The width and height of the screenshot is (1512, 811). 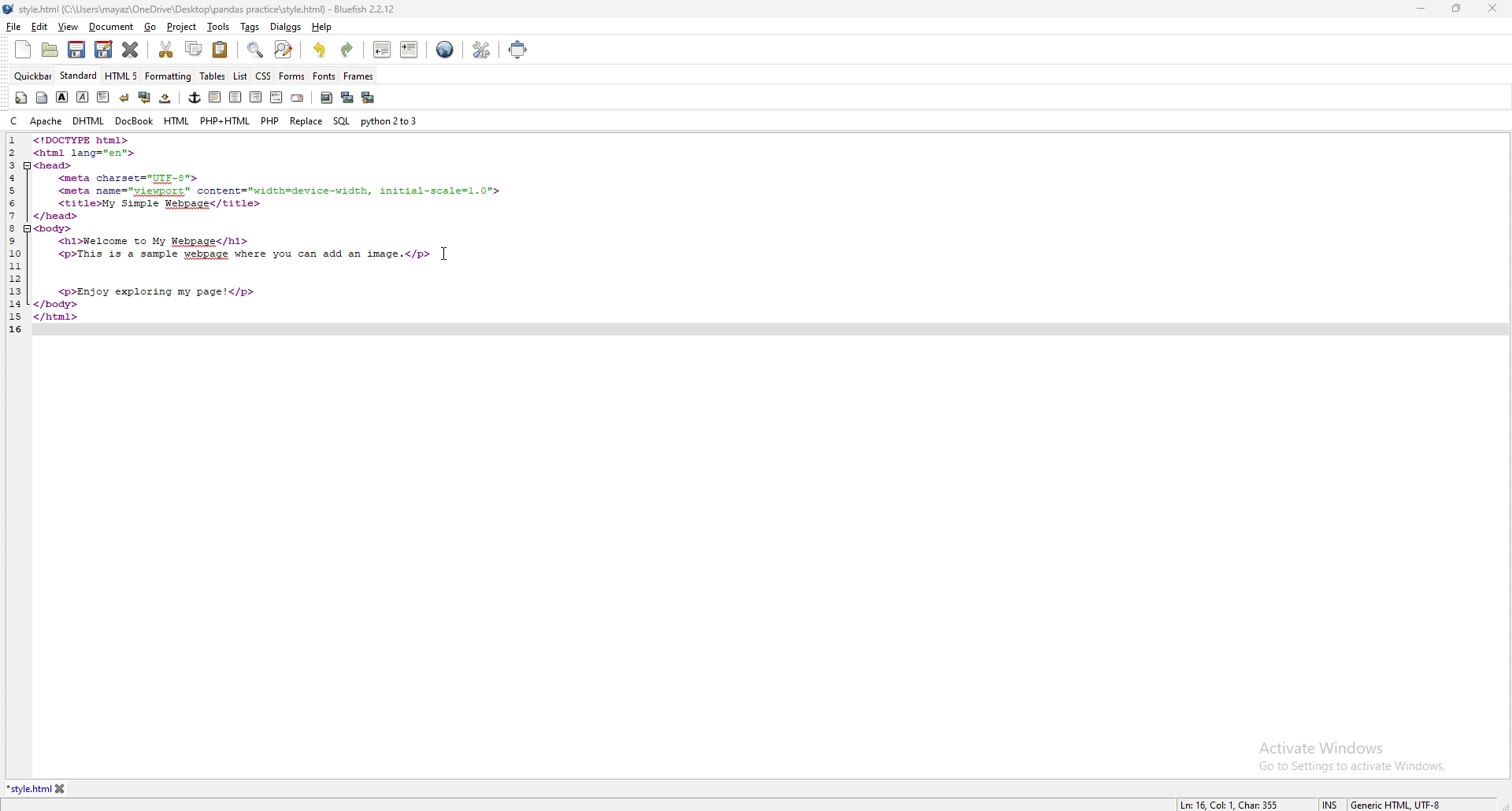 I want to click on project, so click(x=180, y=27).